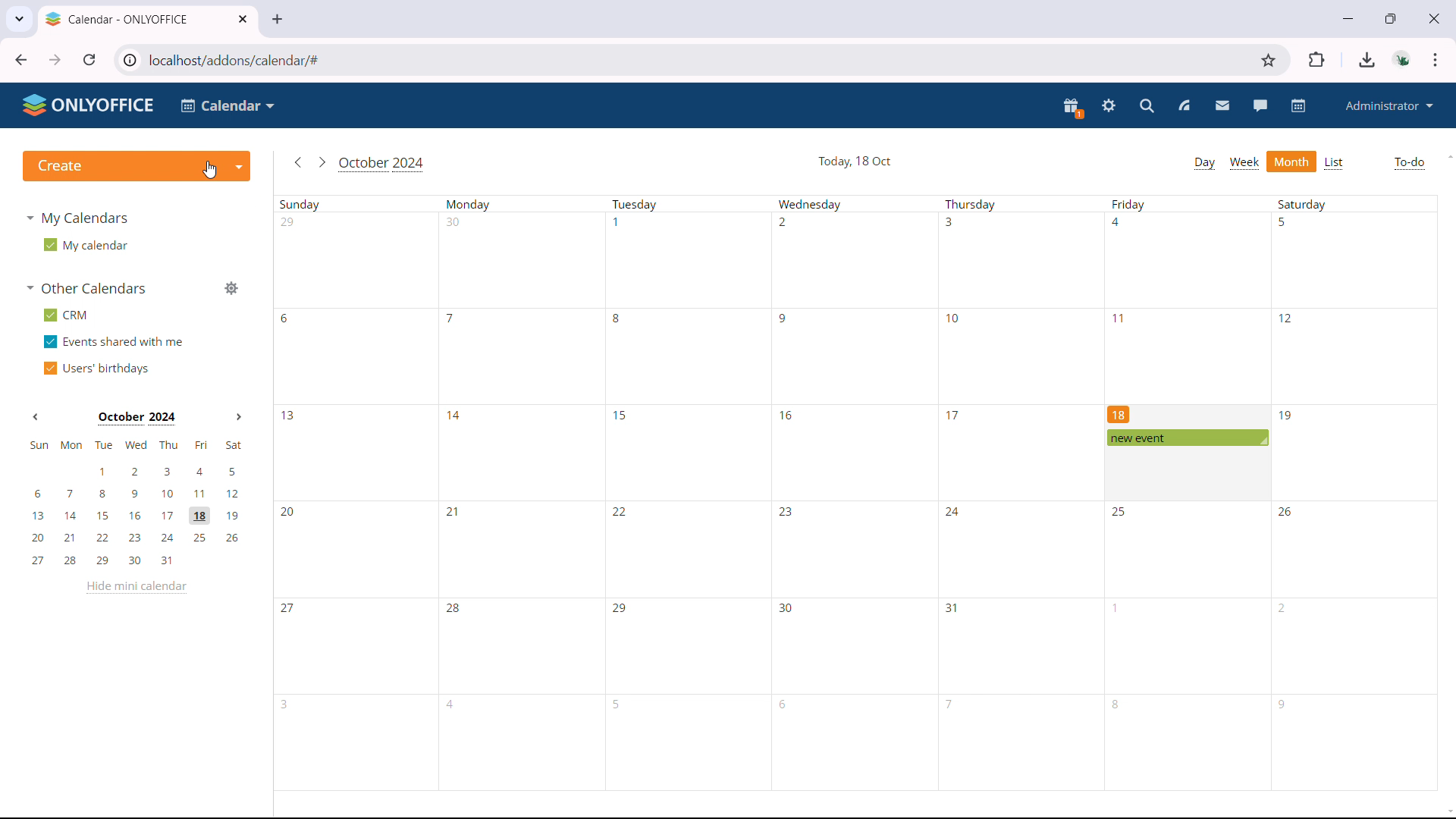 Image resolution: width=1456 pixels, height=819 pixels. I want to click on Thursday, so click(971, 205).